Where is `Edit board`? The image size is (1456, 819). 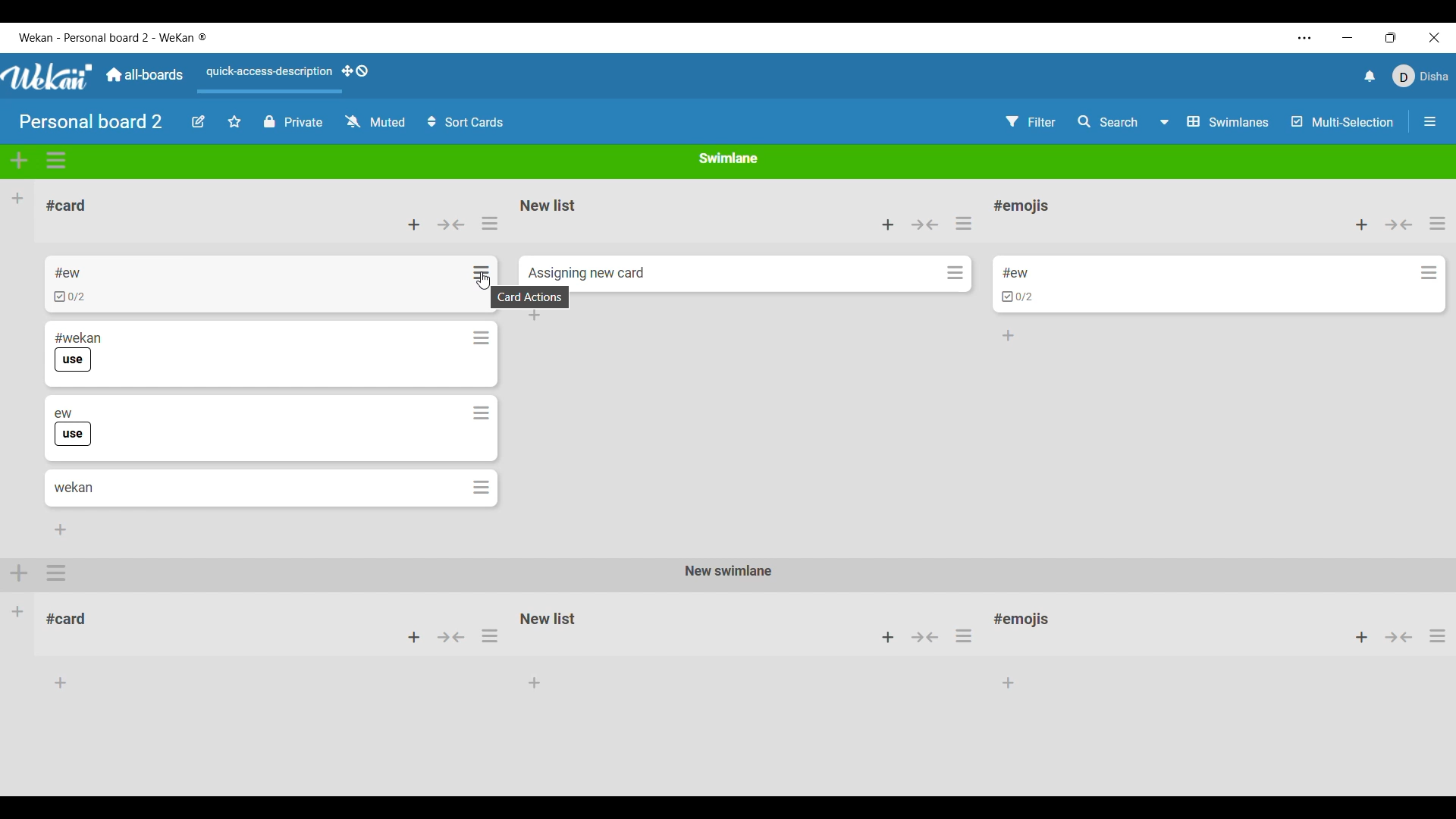 Edit board is located at coordinates (199, 121).